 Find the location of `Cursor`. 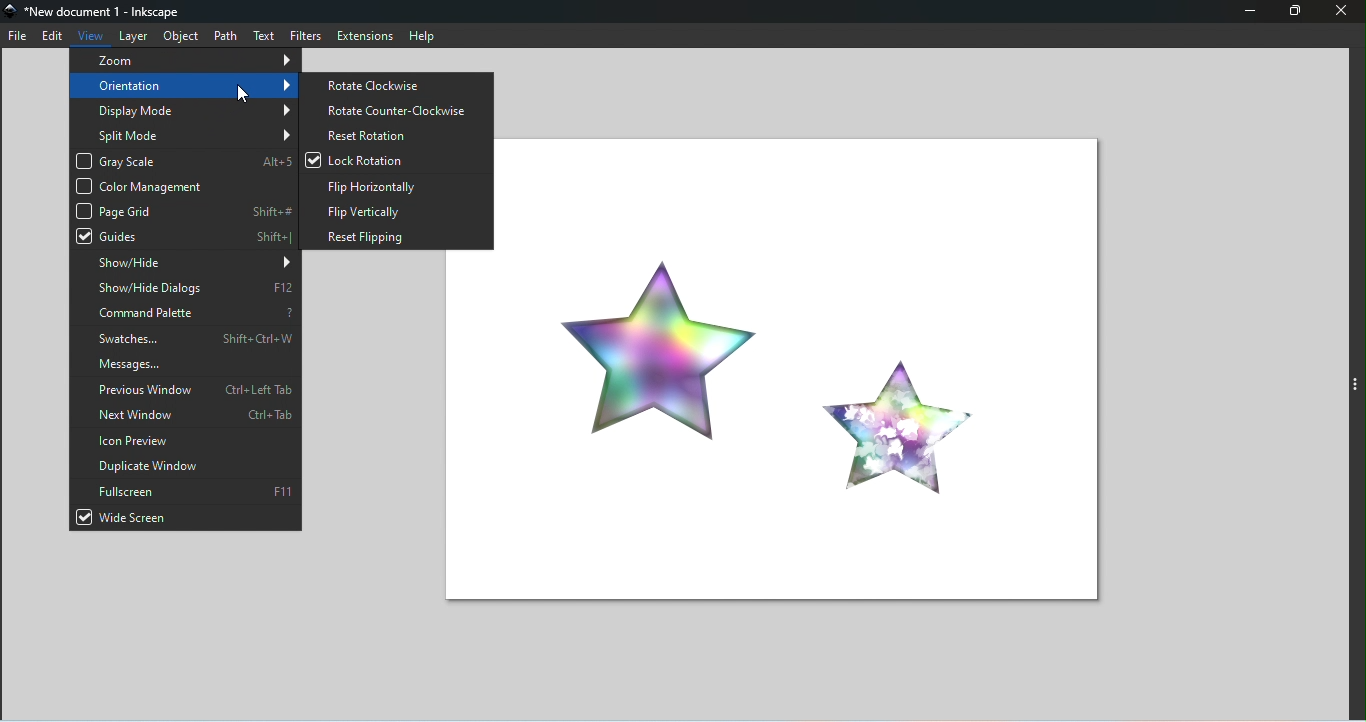

Cursor is located at coordinates (241, 95).